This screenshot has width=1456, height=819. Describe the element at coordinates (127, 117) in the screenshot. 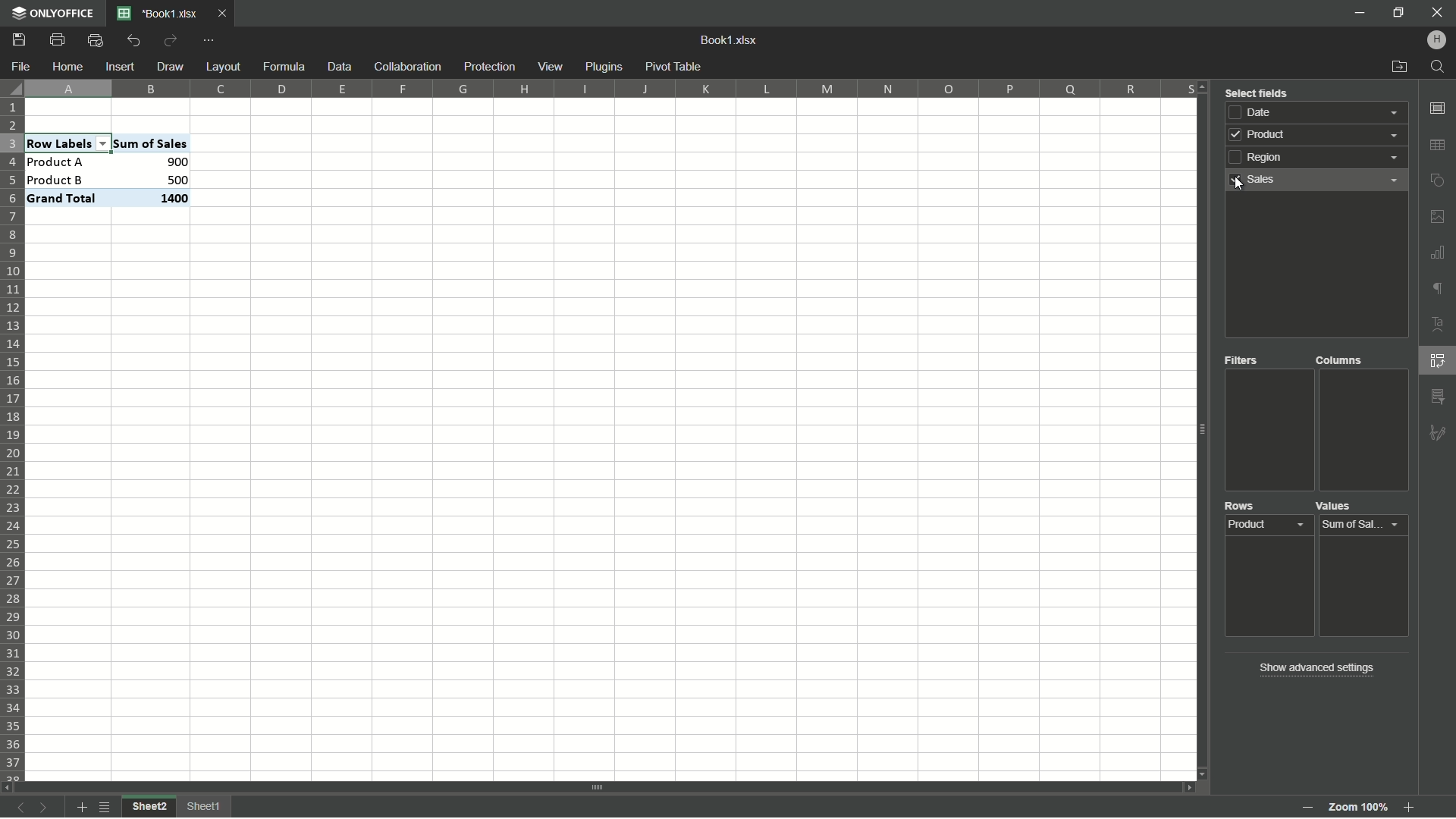

I see `cells` at that location.